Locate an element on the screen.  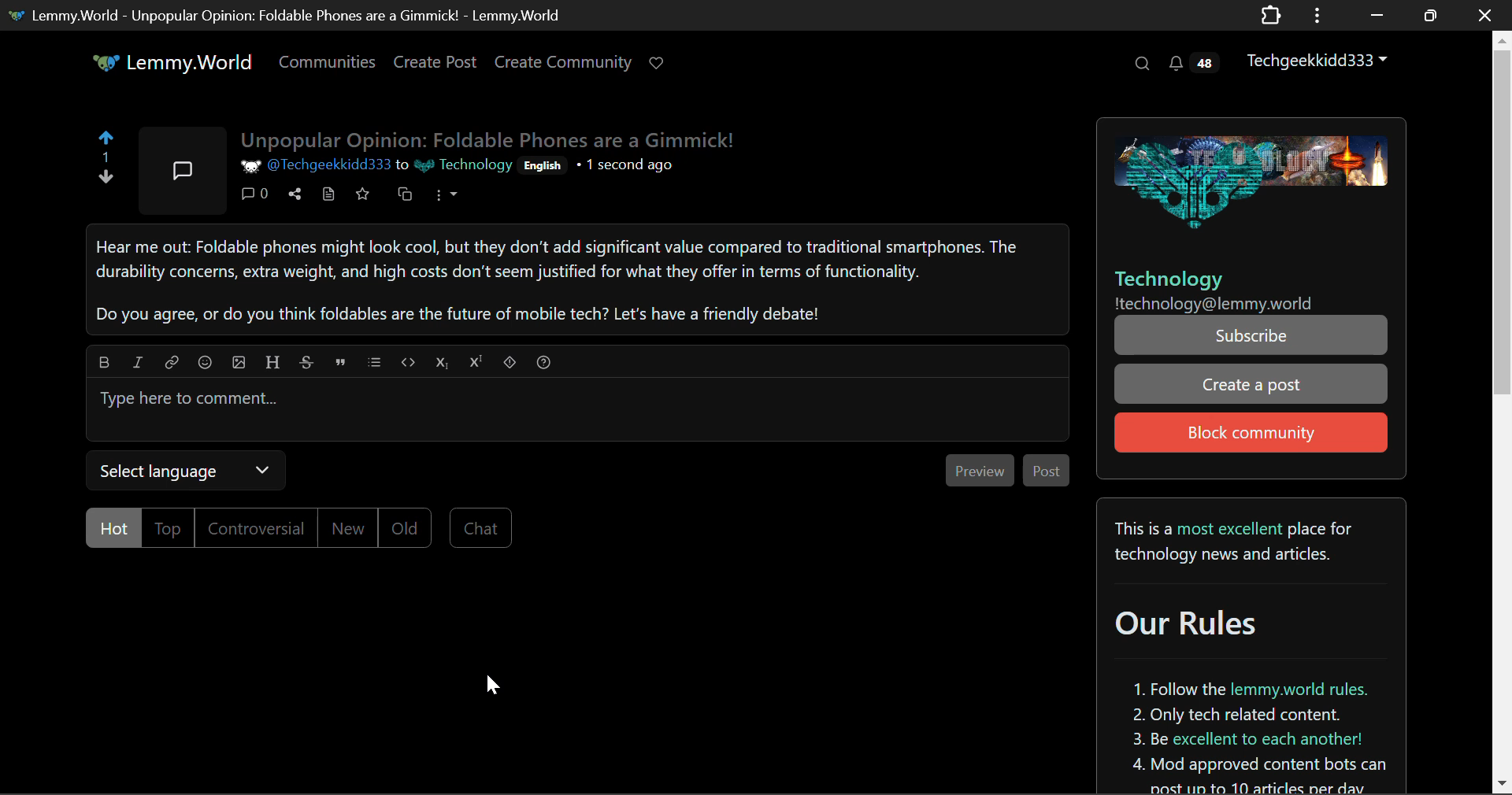
Techgeekkidd333 is located at coordinates (1324, 59).